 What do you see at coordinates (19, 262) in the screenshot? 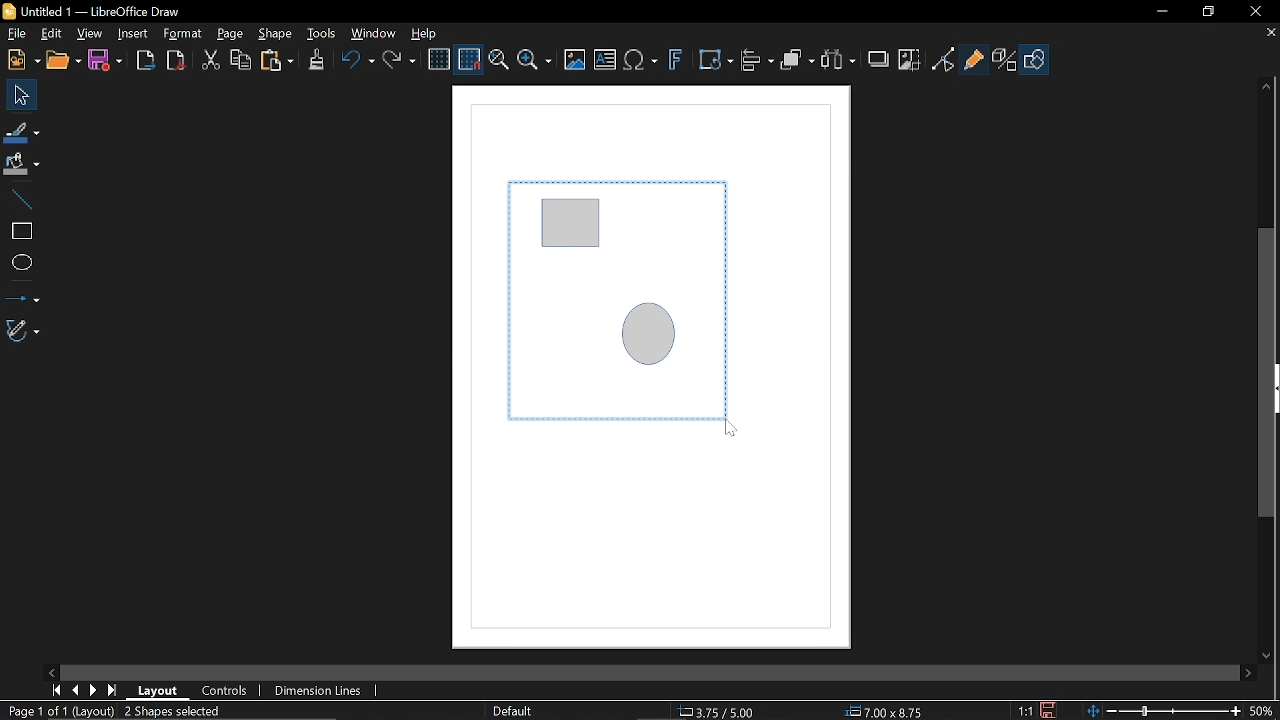
I see `Ellipse` at bounding box center [19, 262].